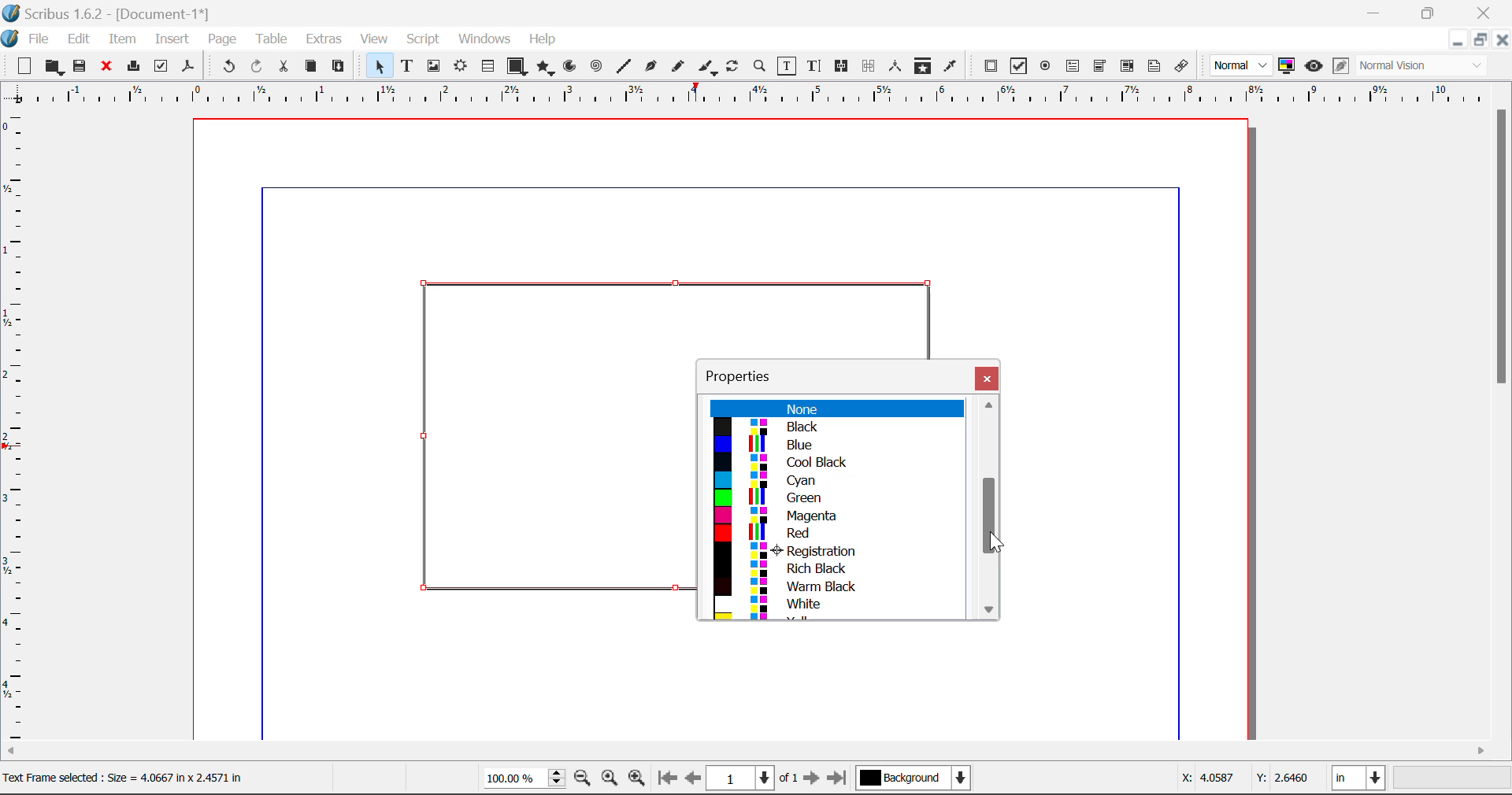  What do you see at coordinates (1154, 66) in the screenshot?
I see `Text Annotation` at bounding box center [1154, 66].